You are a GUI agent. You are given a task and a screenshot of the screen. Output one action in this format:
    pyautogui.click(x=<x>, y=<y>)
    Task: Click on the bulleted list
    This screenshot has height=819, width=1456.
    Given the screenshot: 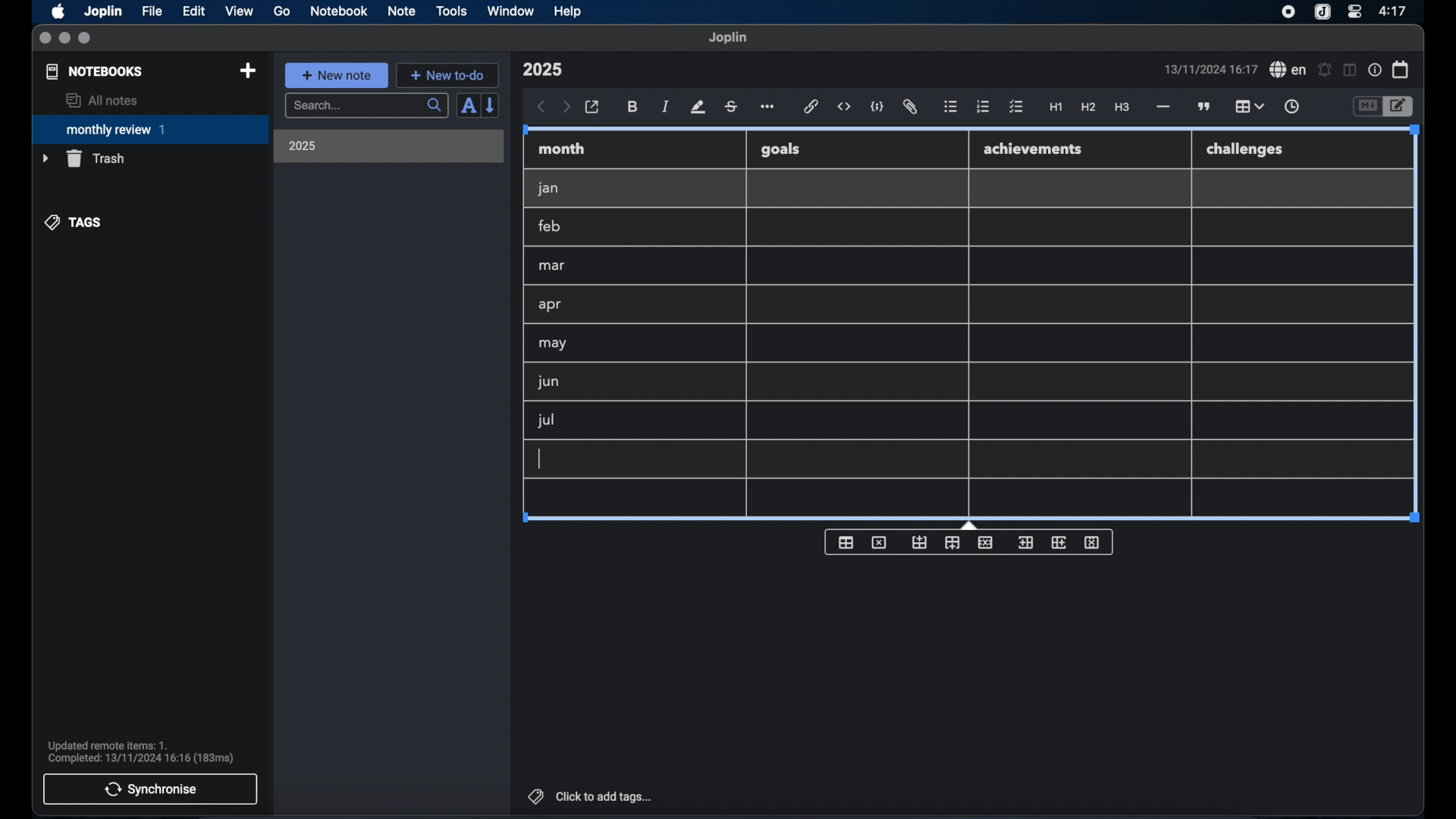 What is the action you would take?
    pyautogui.click(x=950, y=107)
    